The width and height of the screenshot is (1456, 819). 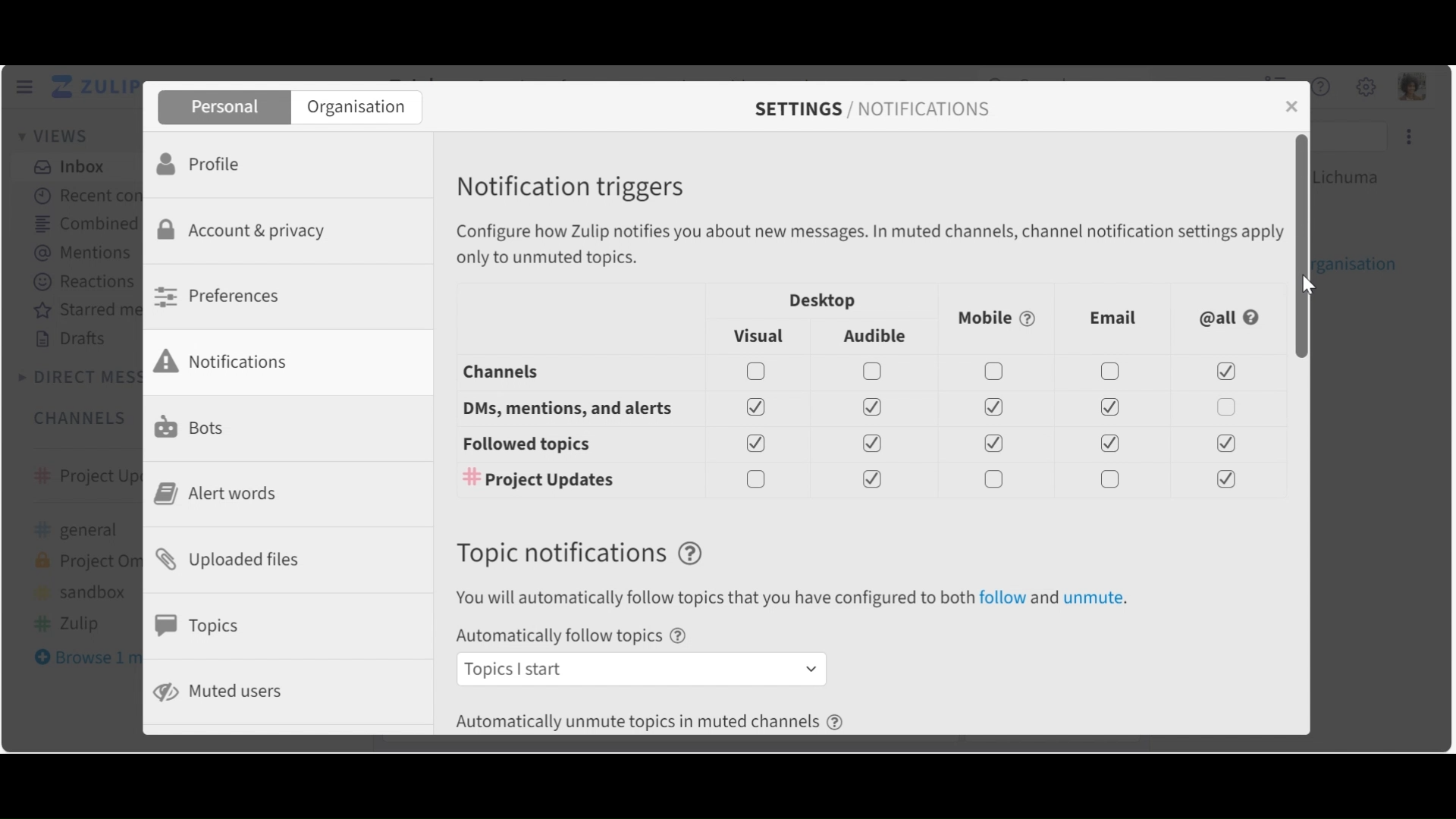 I want to click on Uploaded files, so click(x=235, y=558).